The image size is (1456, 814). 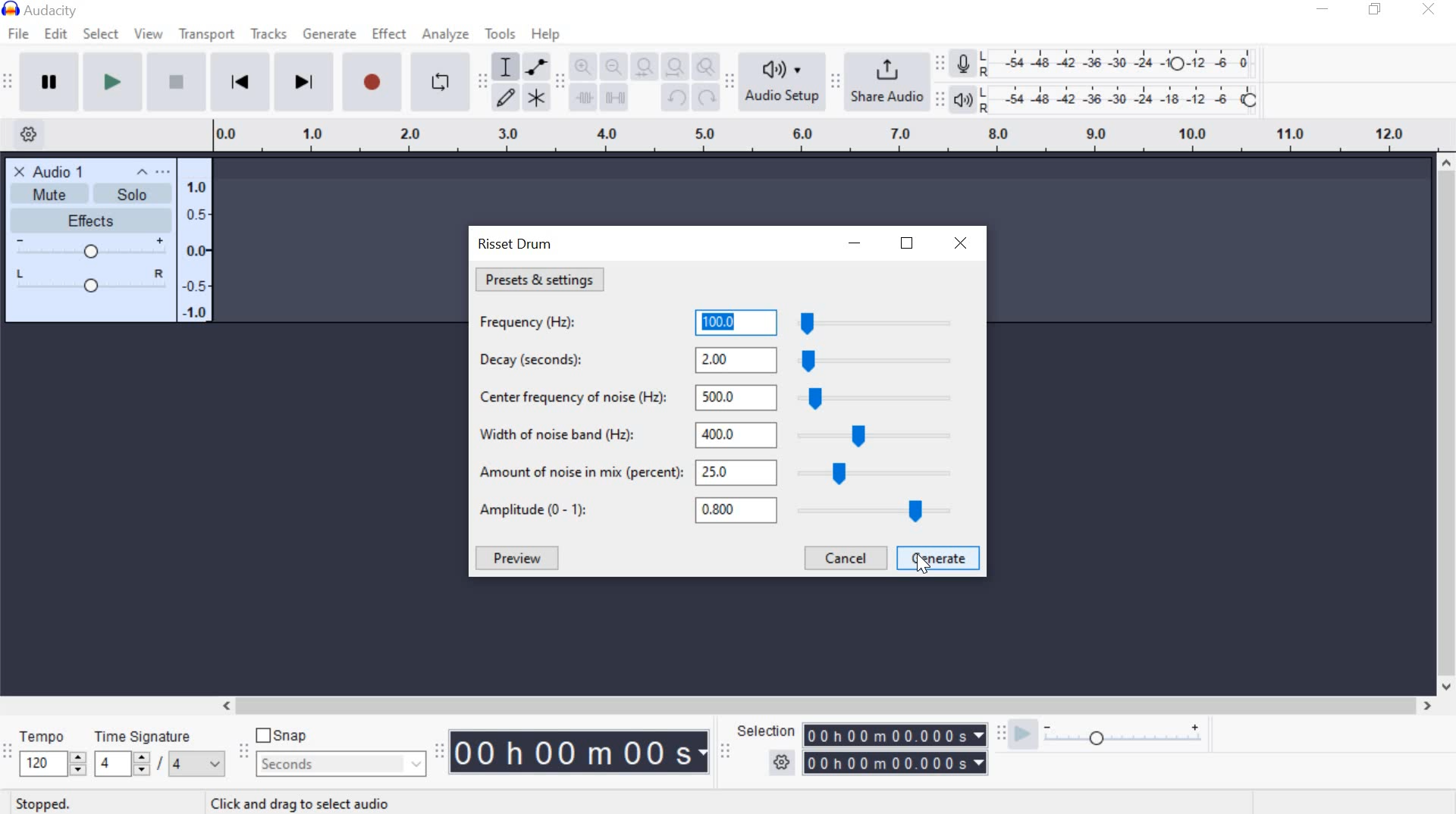 What do you see at coordinates (536, 96) in the screenshot?
I see `Multi-Tool` at bounding box center [536, 96].